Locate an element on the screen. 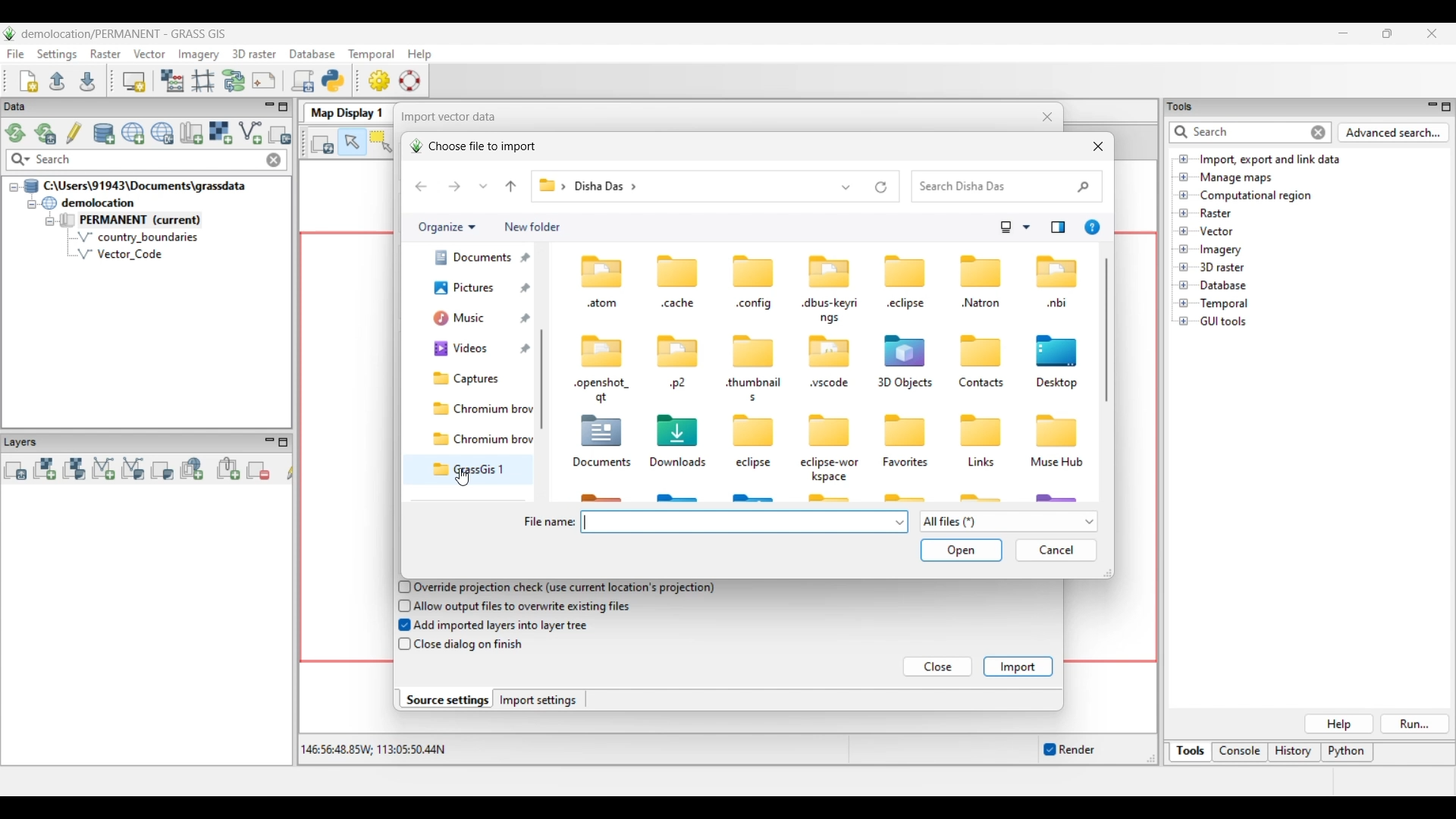 This screenshot has height=819, width=1456. Double click to see files under Imagery is located at coordinates (1220, 250).